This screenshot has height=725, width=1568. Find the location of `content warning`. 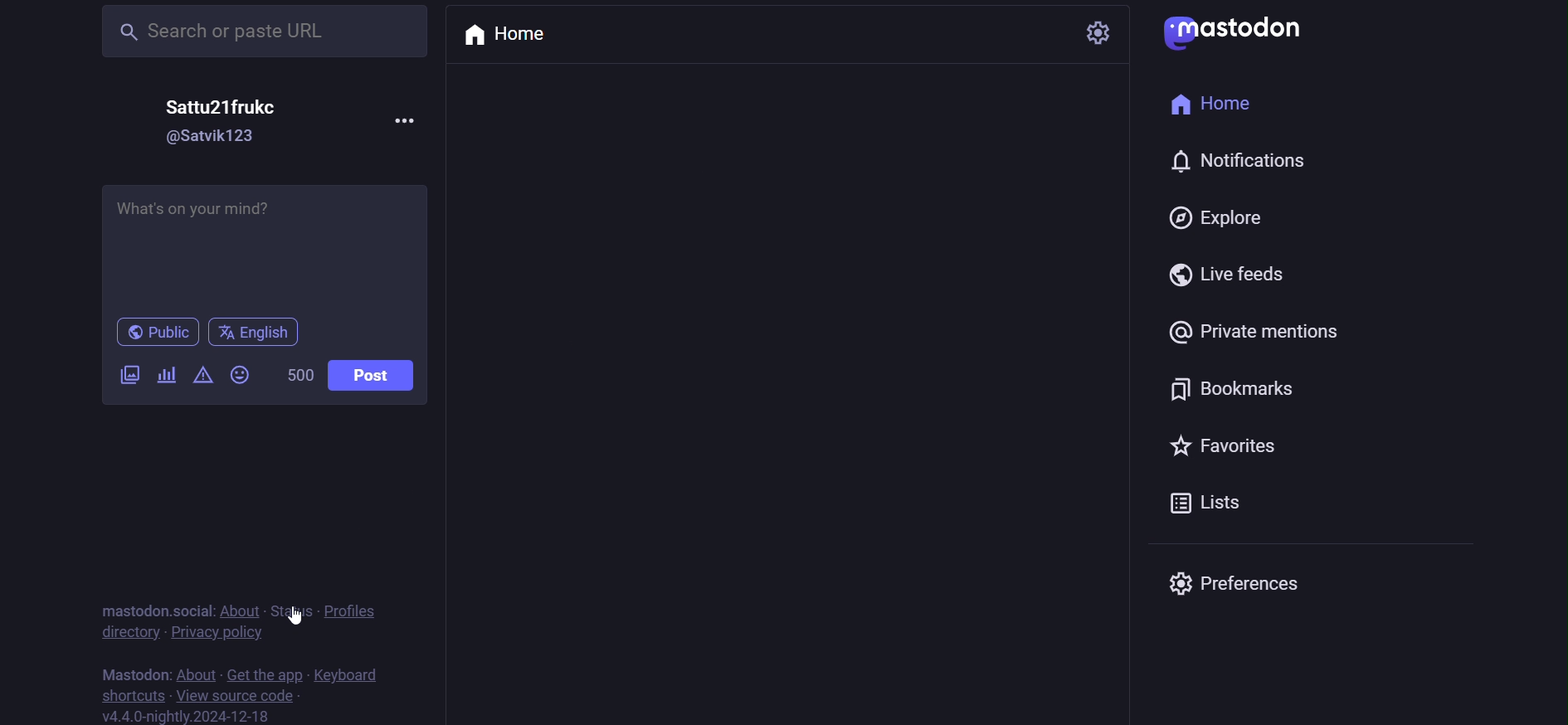

content warning is located at coordinates (205, 377).